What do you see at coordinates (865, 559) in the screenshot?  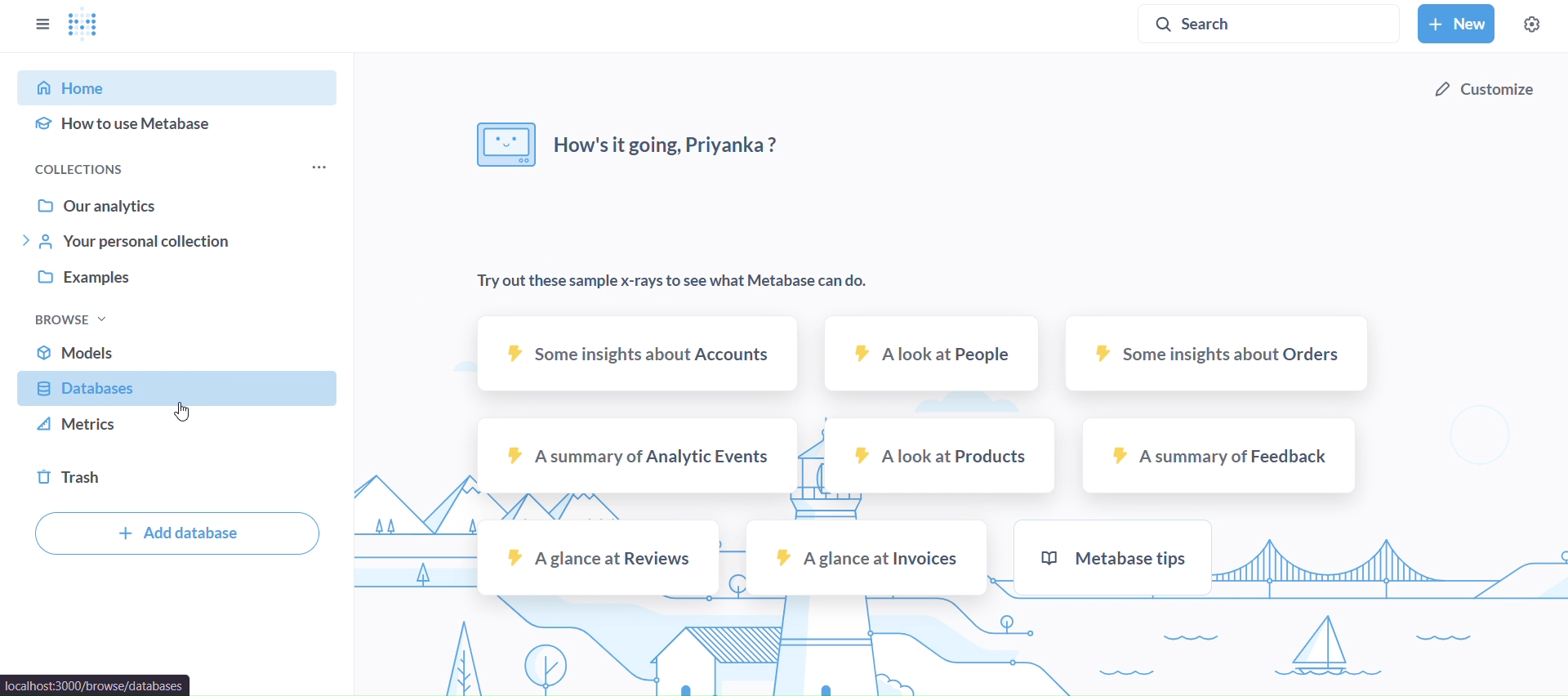 I see `a glance at invoices` at bounding box center [865, 559].